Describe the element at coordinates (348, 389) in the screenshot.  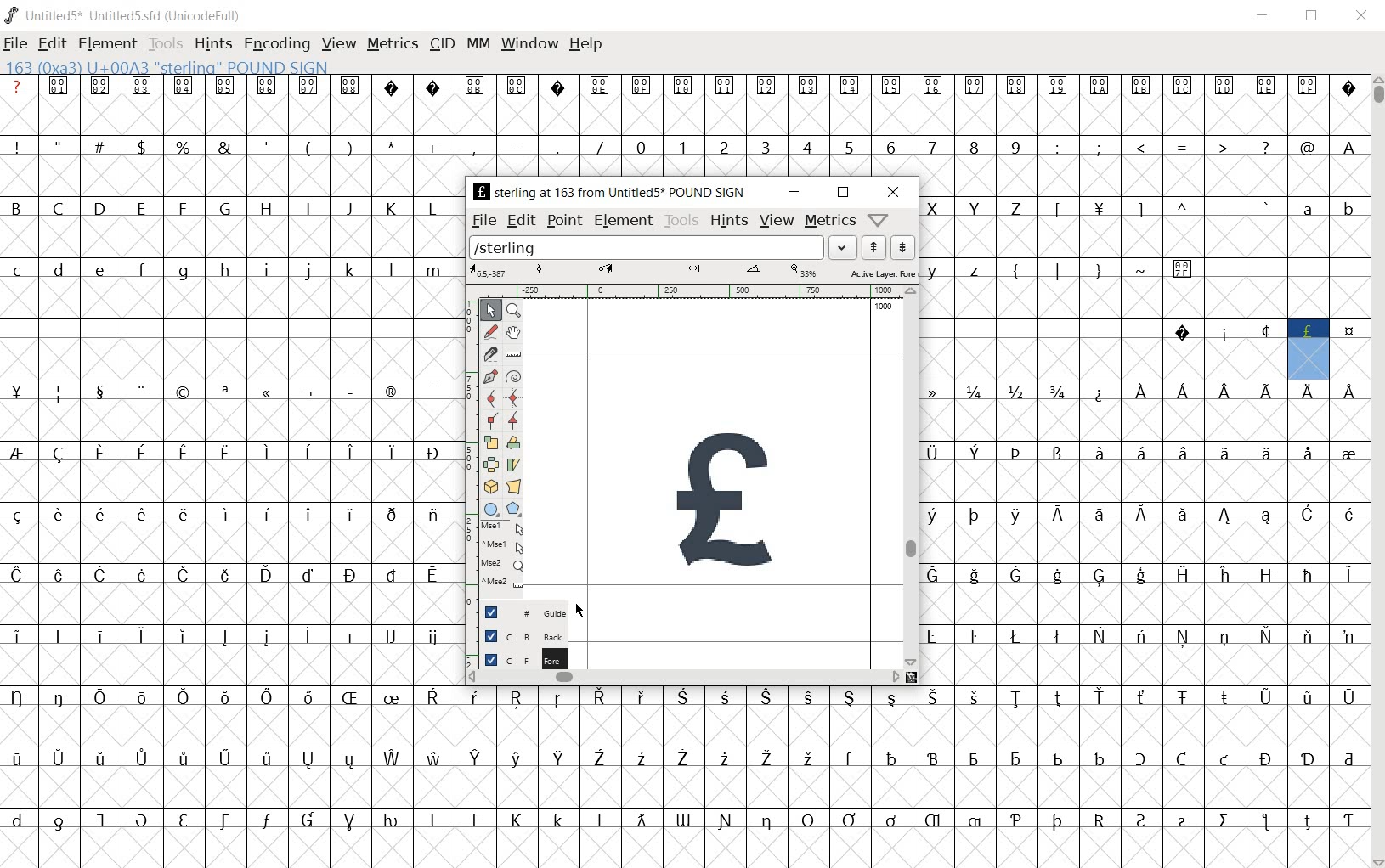
I see `Symbol` at that location.